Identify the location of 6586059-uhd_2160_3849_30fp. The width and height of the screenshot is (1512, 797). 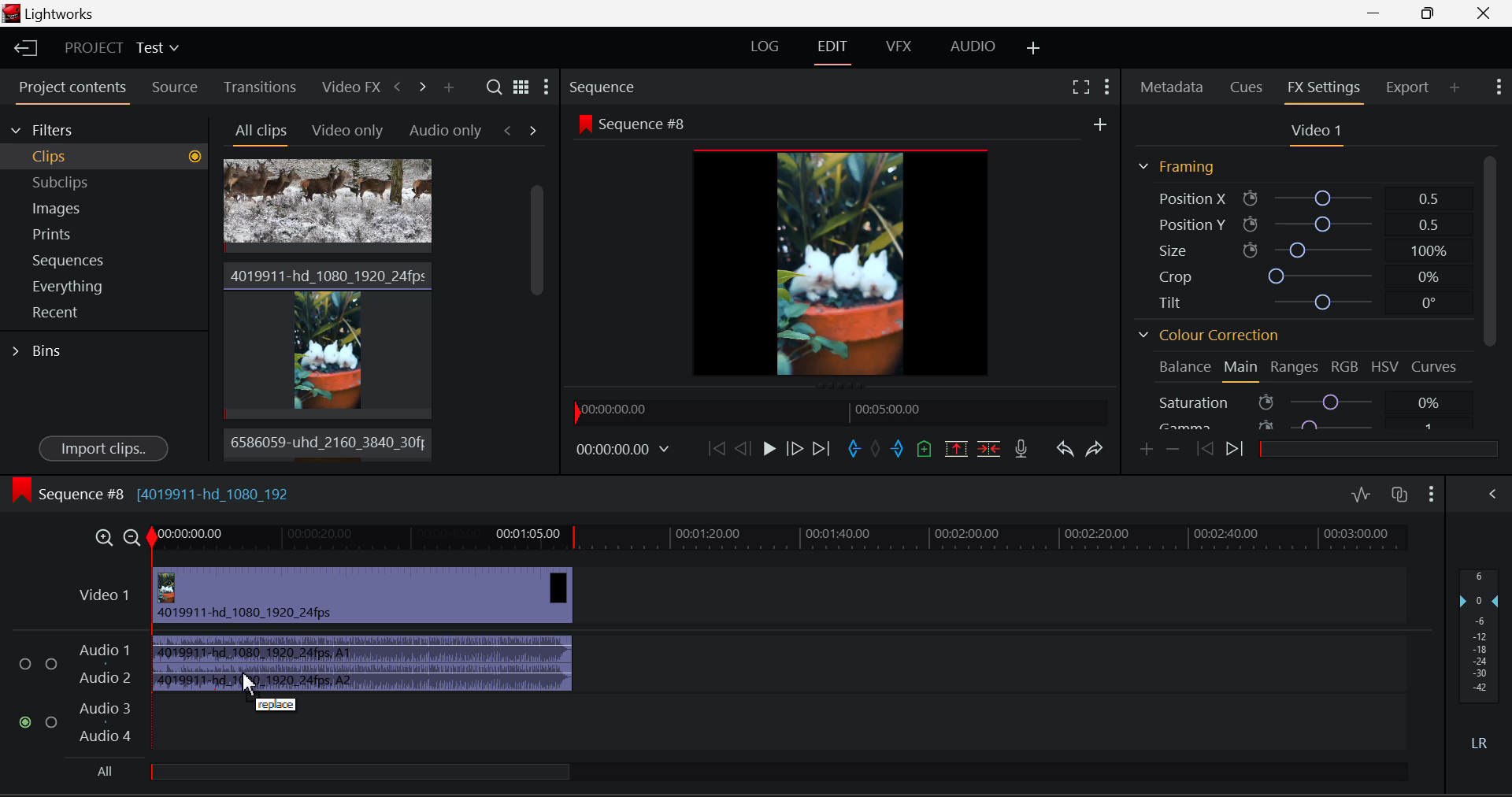
(324, 443).